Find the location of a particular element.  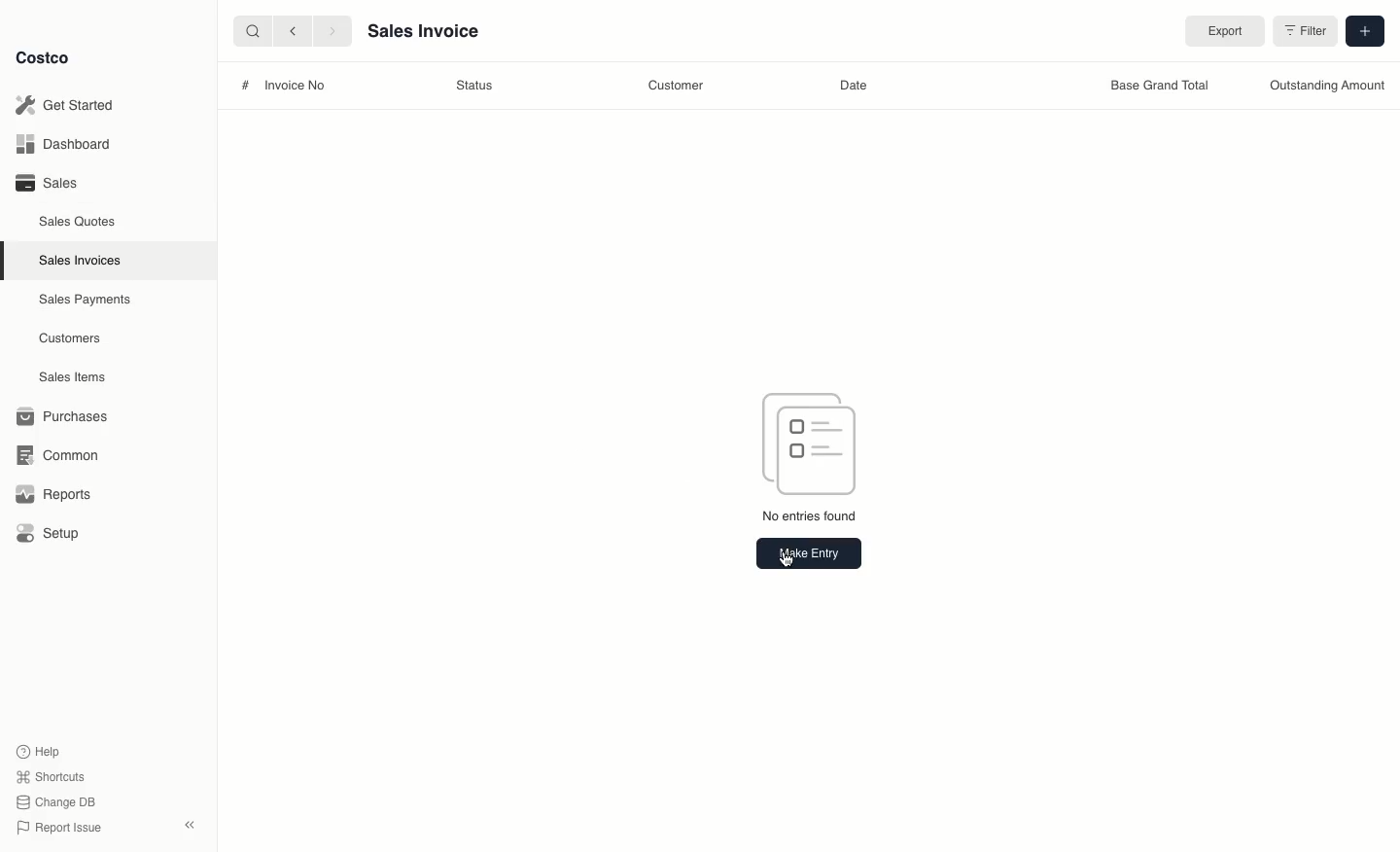

‘Sales Payments is located at coordinates (85, 298).